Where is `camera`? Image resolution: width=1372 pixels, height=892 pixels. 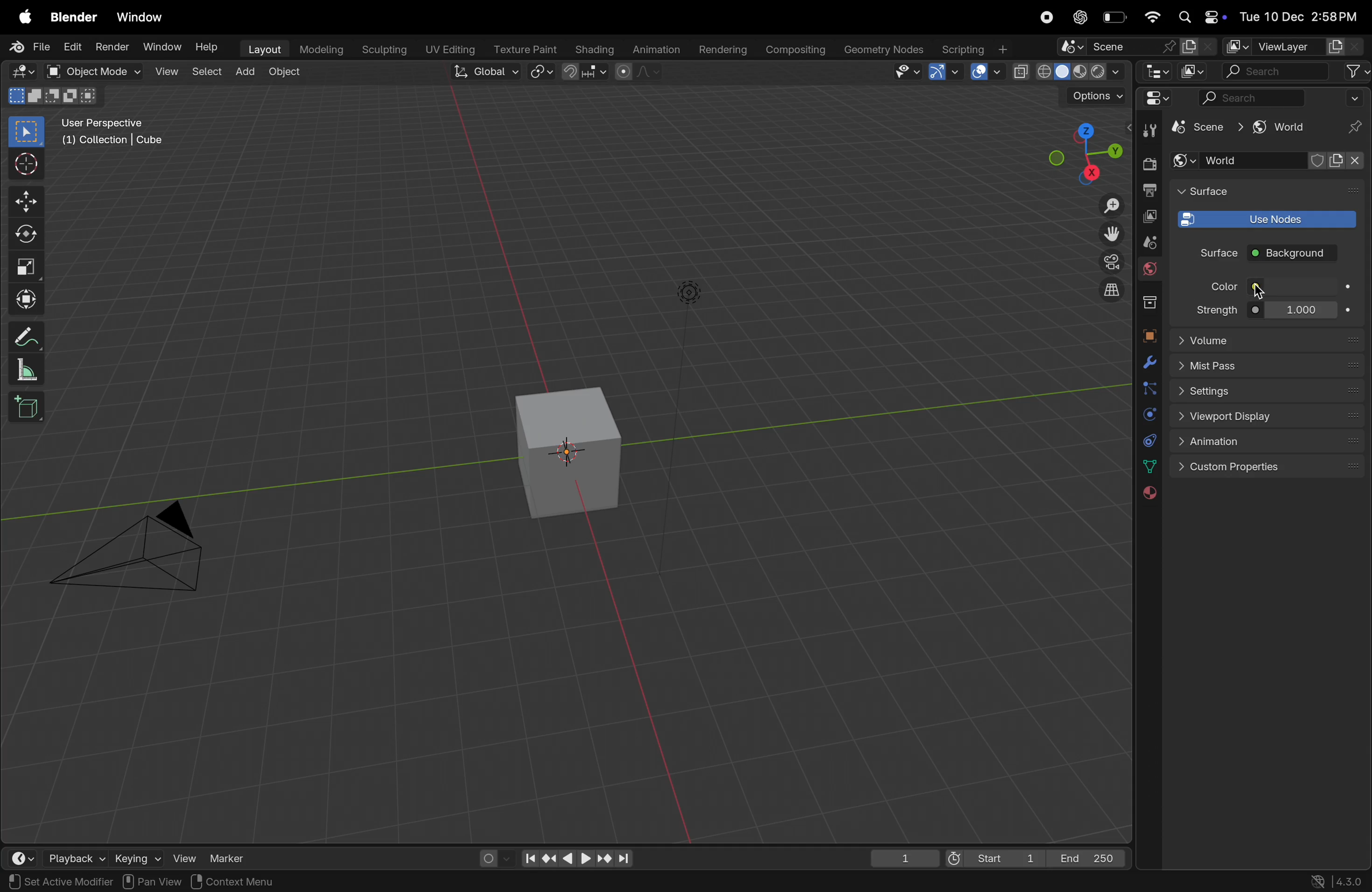 camera is located at coordinates (137, 552).